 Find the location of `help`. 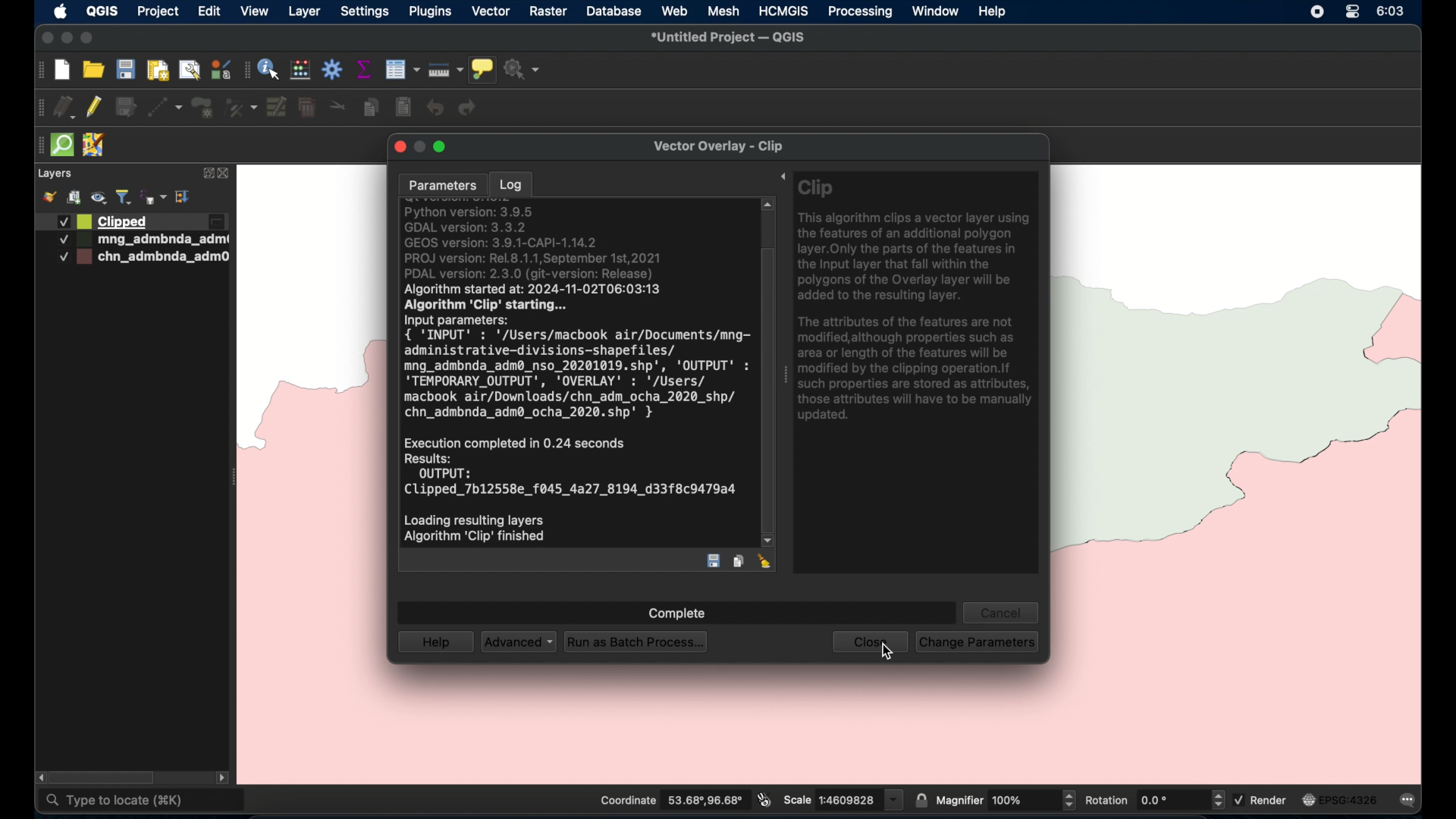

help is located at coordinates (435, 642).